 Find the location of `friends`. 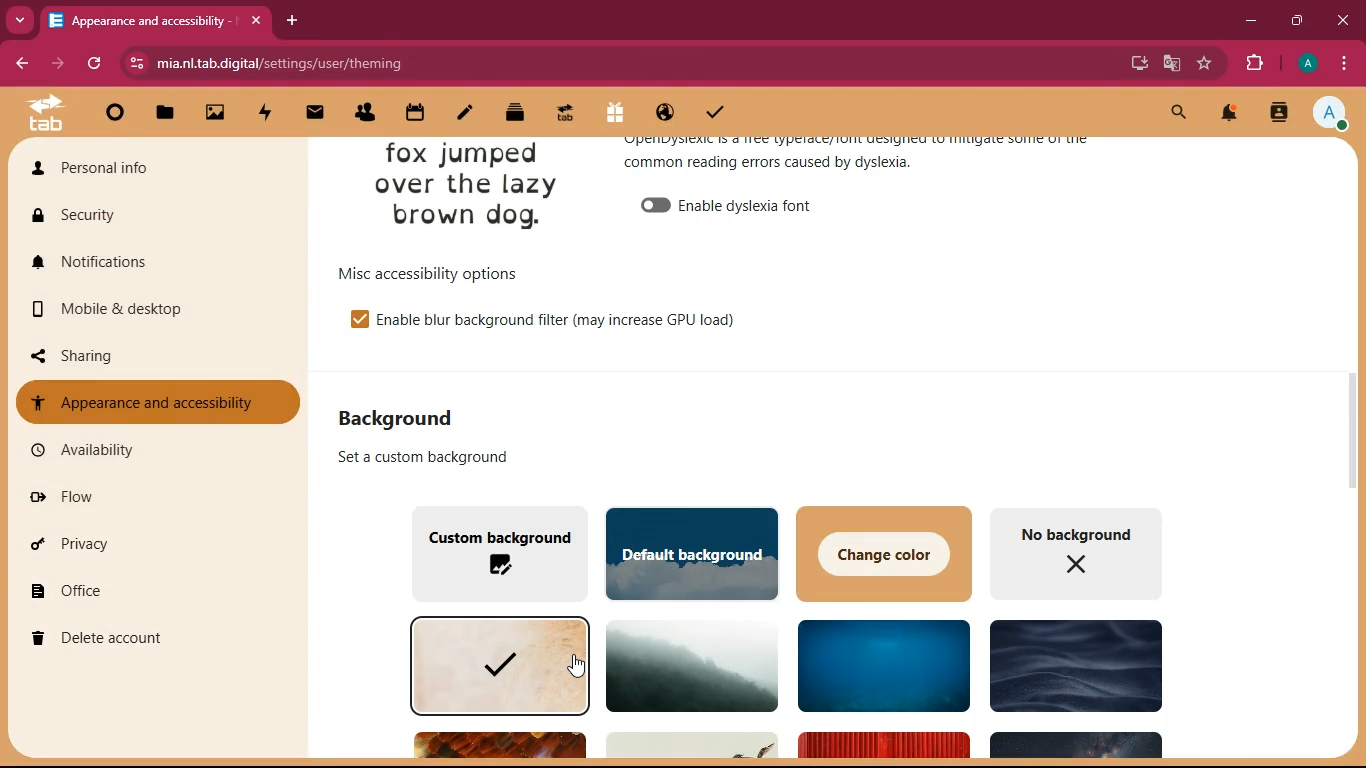

friends is located at coordinates (367, 114).